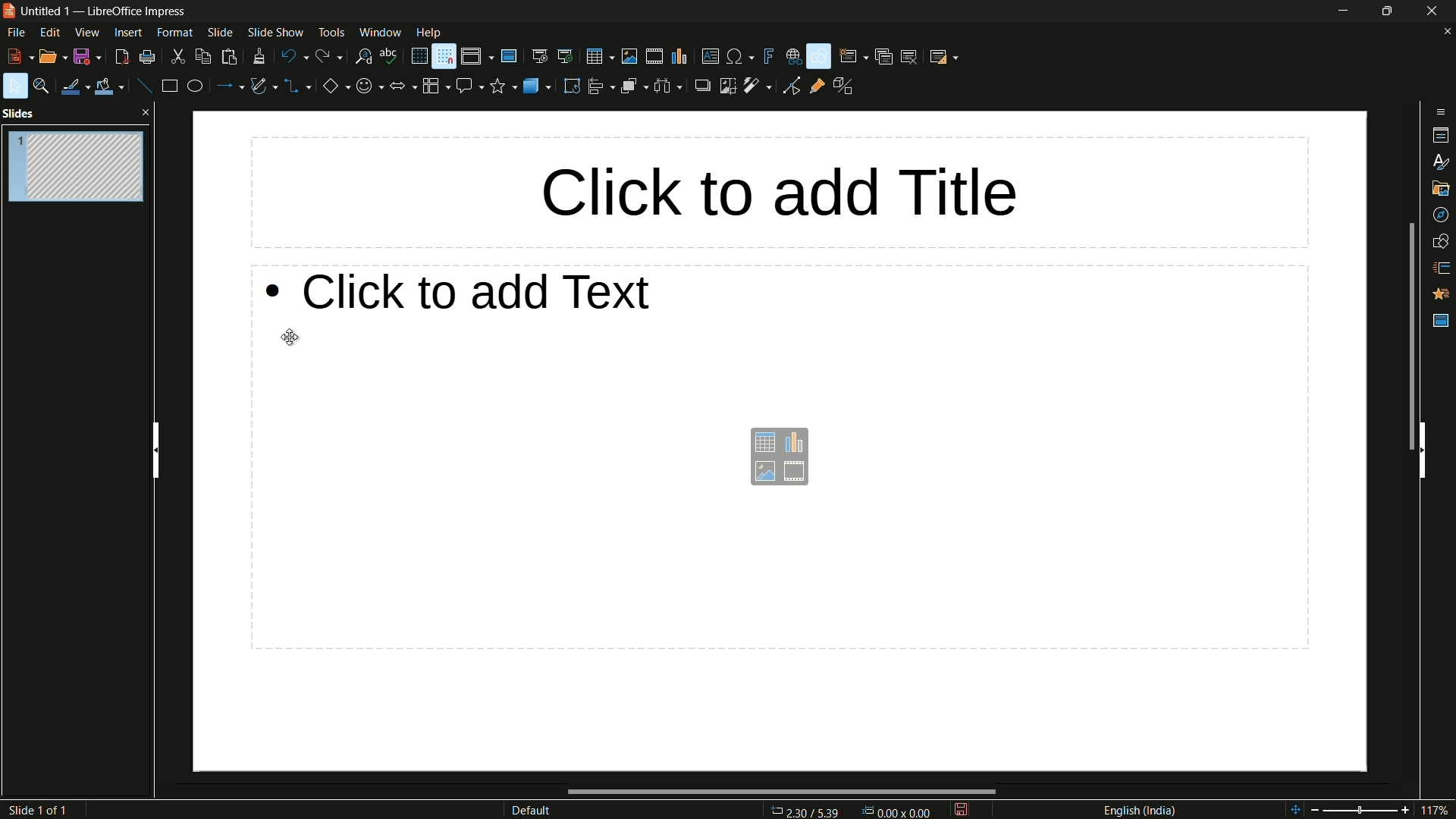 Image resolution: width=1456 pixels, height=819 pixels. What do you see at coordinates (1439, 213) in the screenshot?
I see `navigator` at bounding box center [1439, 213].